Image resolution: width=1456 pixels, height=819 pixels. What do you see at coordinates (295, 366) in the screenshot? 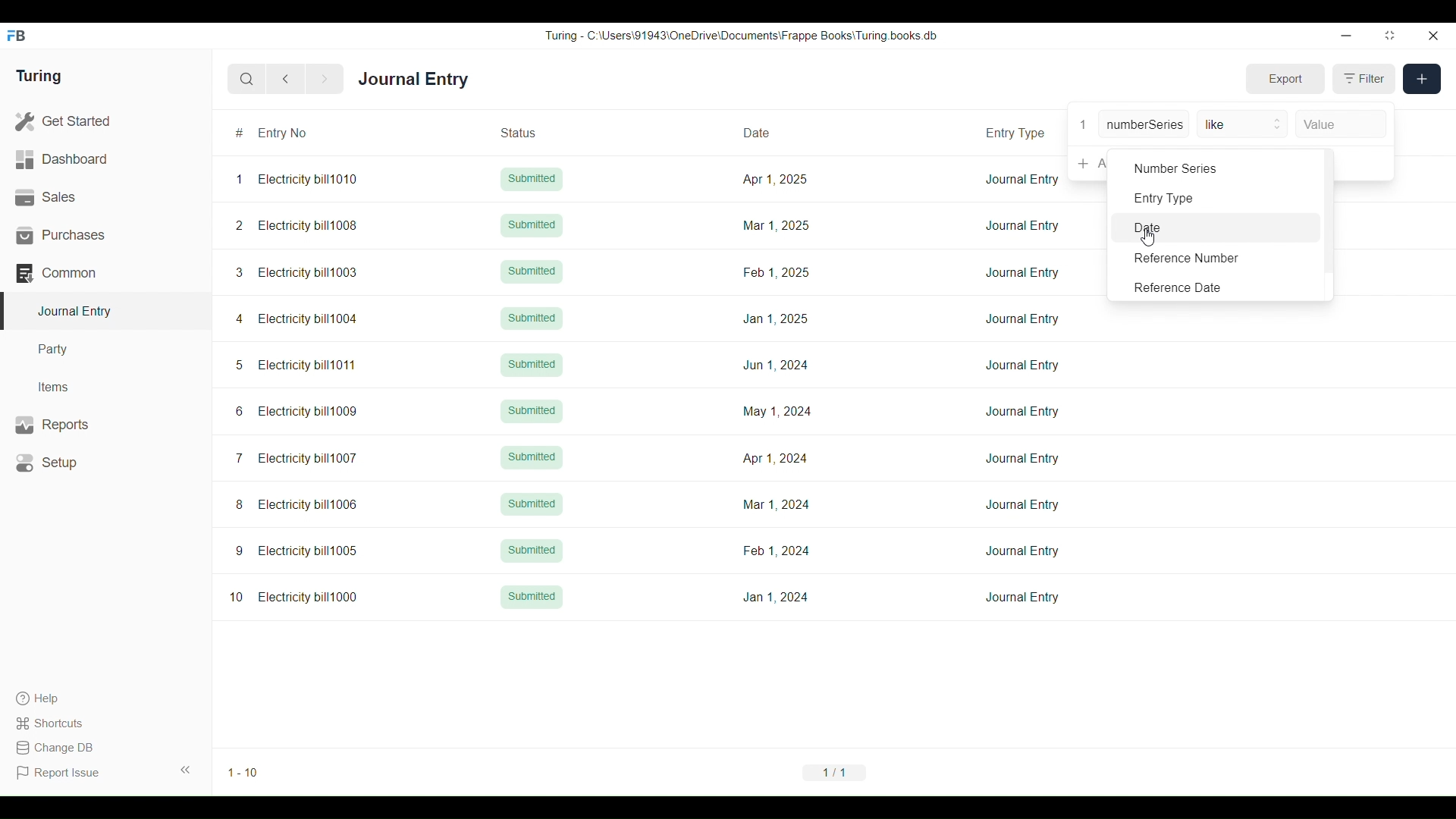
I see `5 Electricity bill1011` at bounding box center [295, 366].